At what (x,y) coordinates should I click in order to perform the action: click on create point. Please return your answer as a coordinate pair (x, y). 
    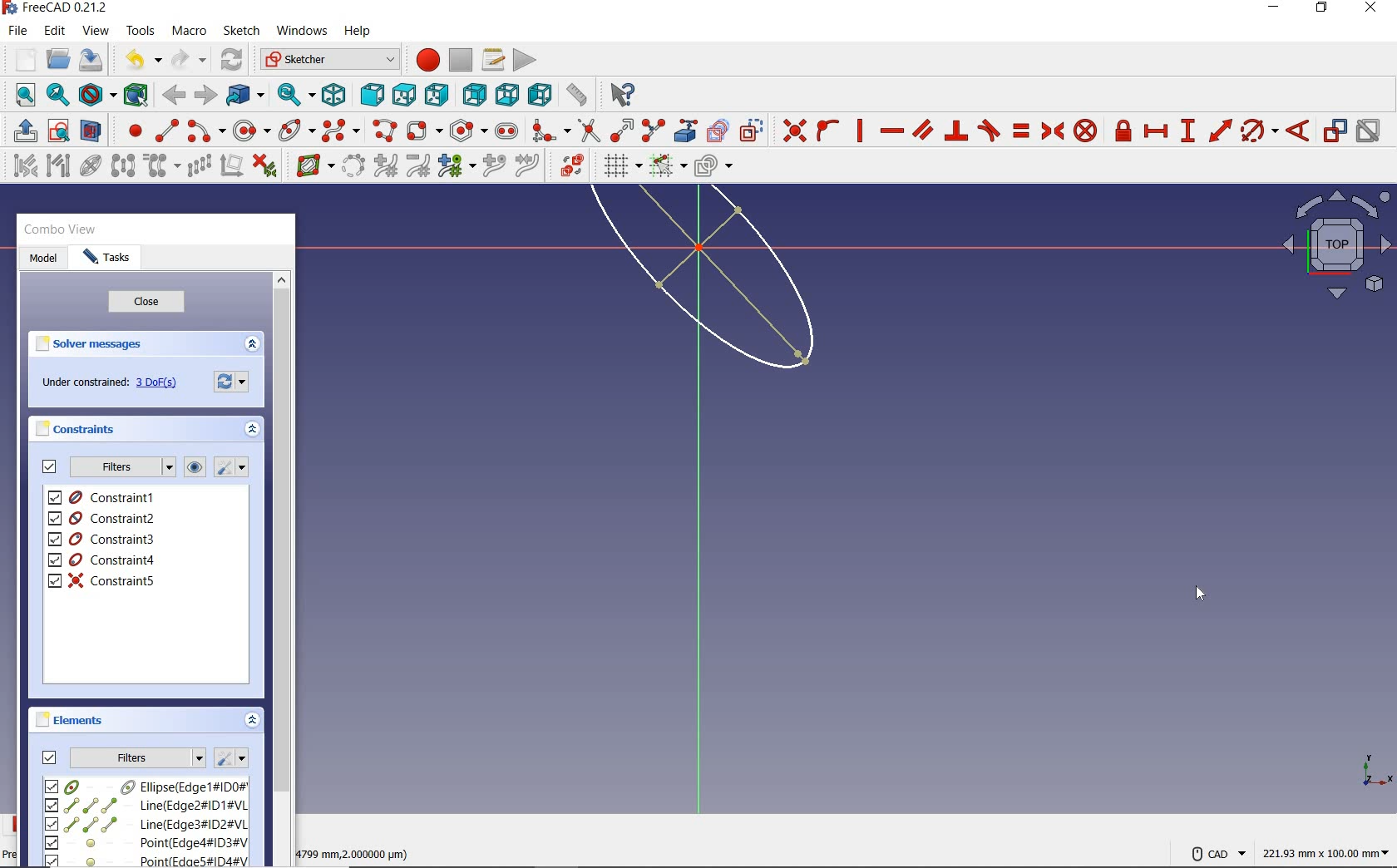
    Looking at the image, I should click on (131, 131).